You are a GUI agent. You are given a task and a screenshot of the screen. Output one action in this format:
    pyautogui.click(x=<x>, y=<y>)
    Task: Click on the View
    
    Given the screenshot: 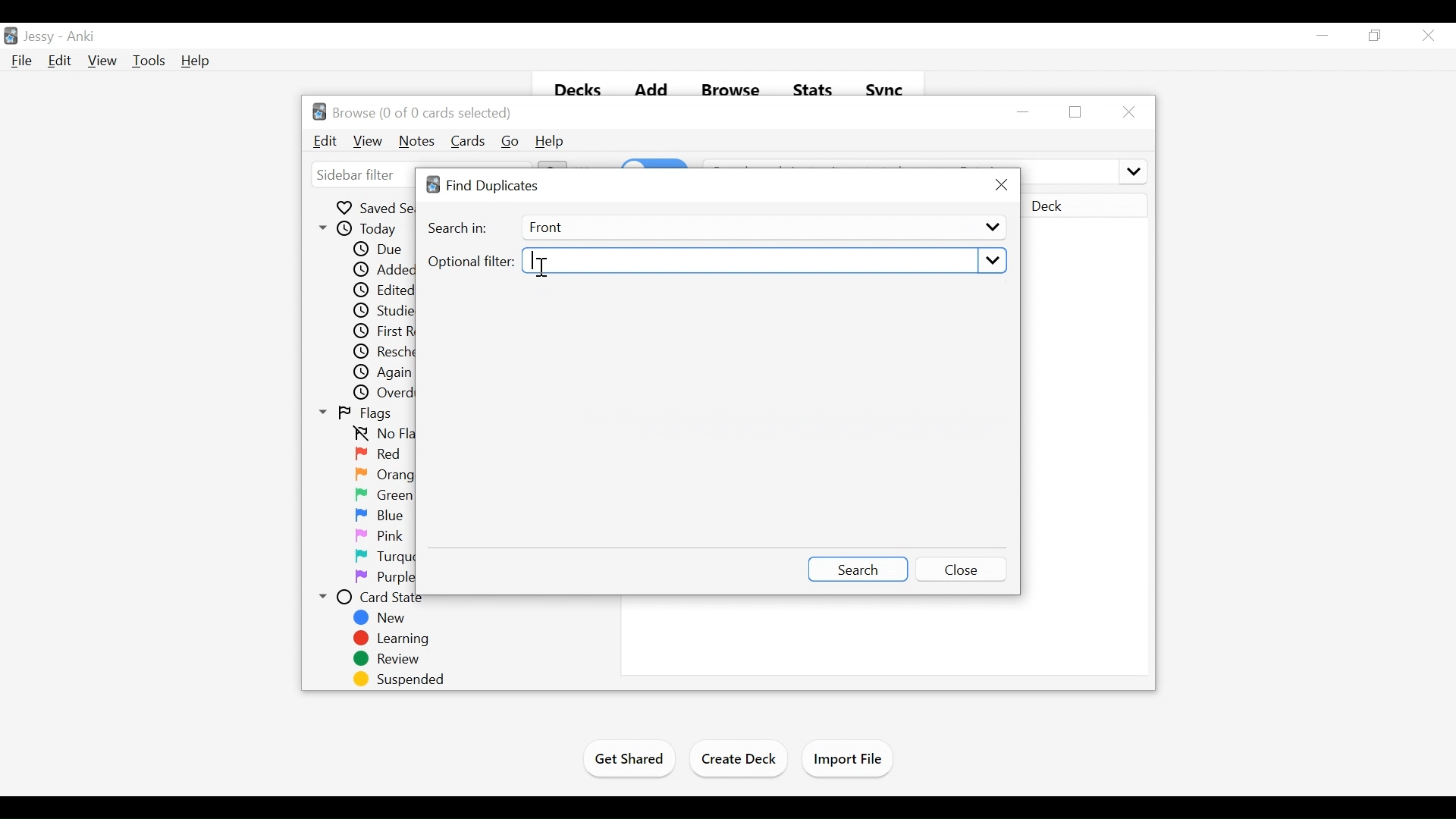 What is the action you would take?
    pyautogui.click(x=102, y=61)
    